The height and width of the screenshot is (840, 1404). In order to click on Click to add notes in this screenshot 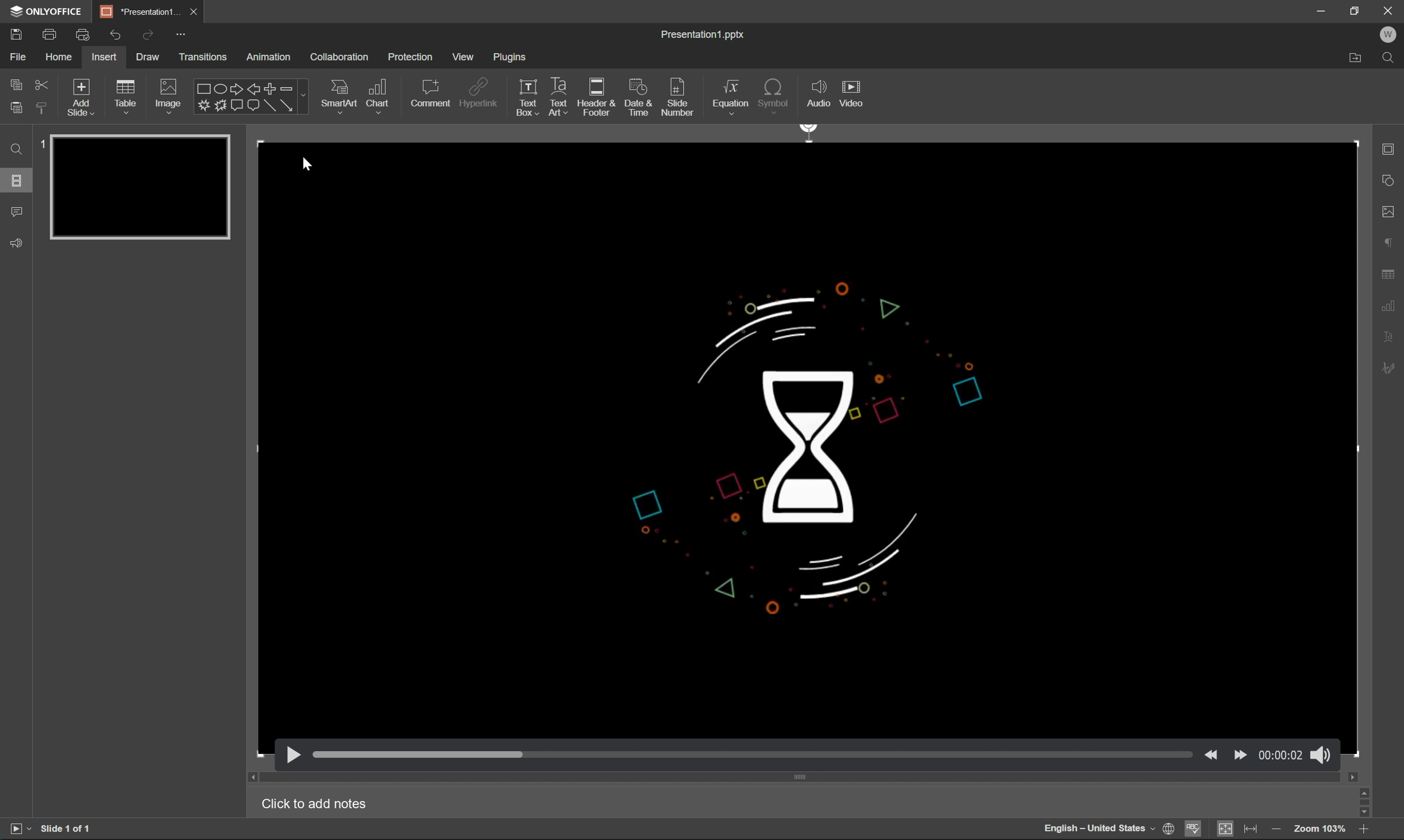, I will do `click(315, 803)`.